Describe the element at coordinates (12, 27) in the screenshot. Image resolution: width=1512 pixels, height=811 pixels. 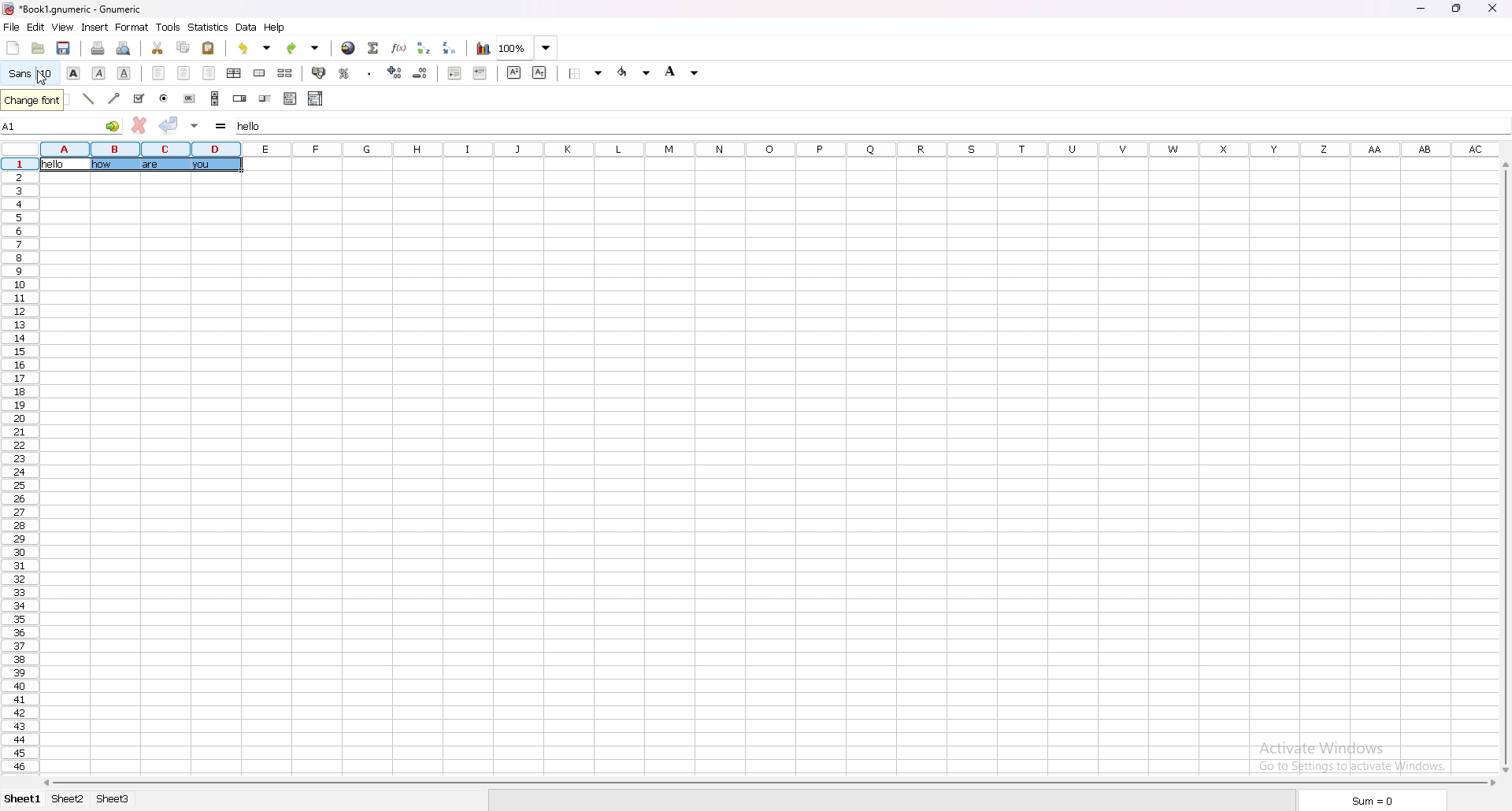
I see `file` at that location.